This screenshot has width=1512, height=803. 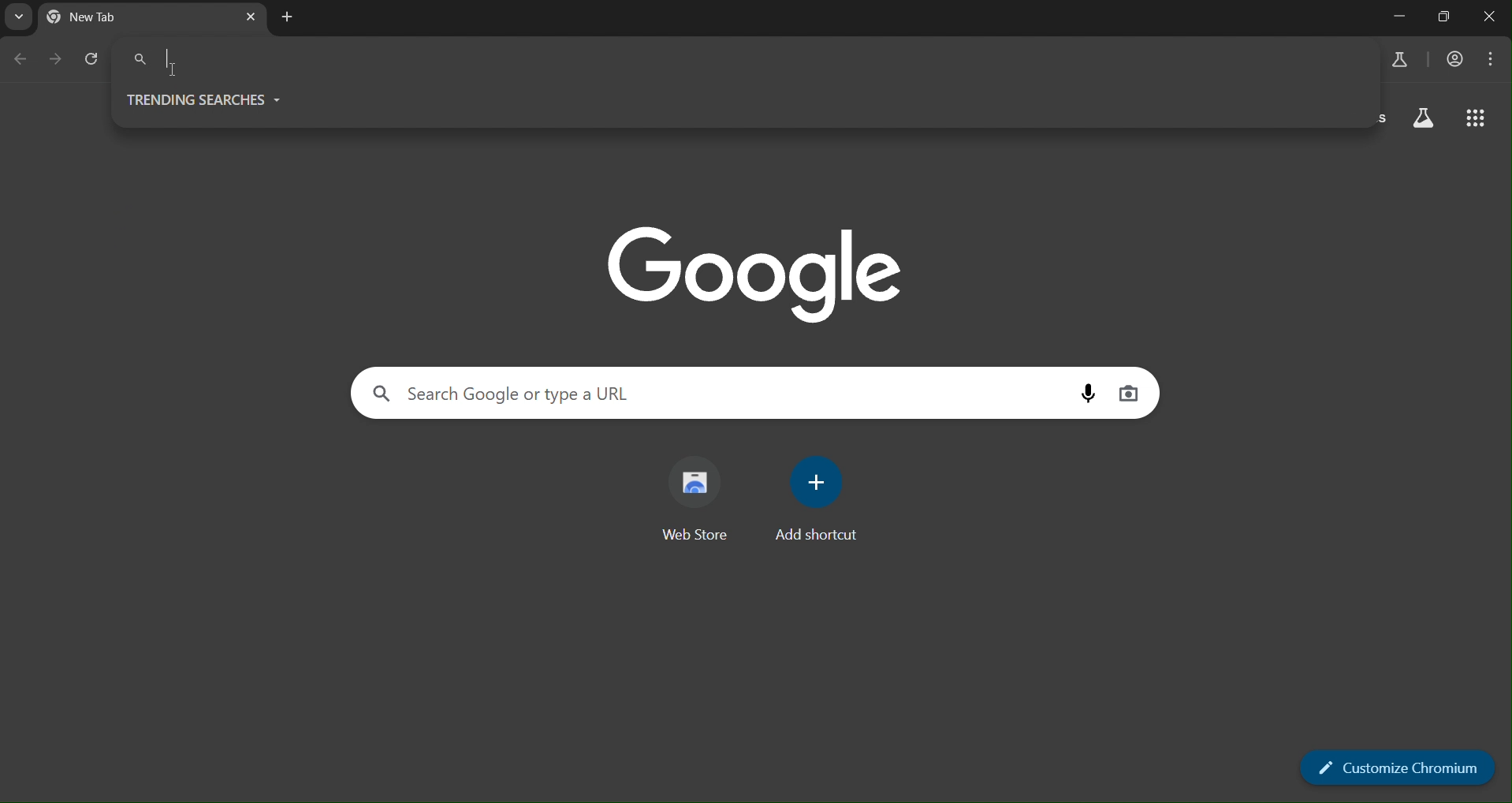 What do you see at coordinates (17, 17) in the screenshot?
I see `search tabs` at bounding box center [17, 17].